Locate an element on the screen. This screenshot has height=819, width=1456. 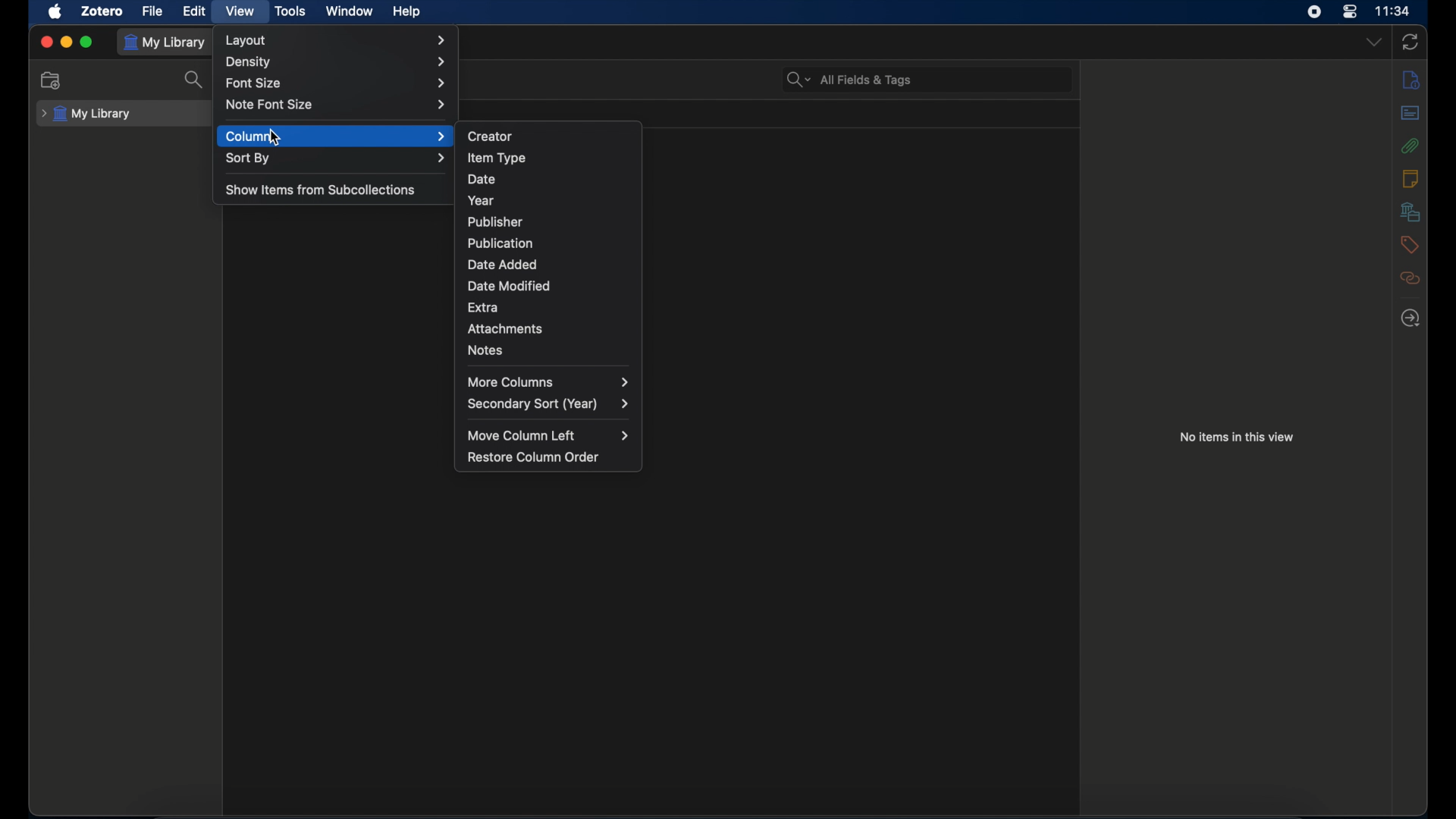
control center is located at coordinates (1350, 12).